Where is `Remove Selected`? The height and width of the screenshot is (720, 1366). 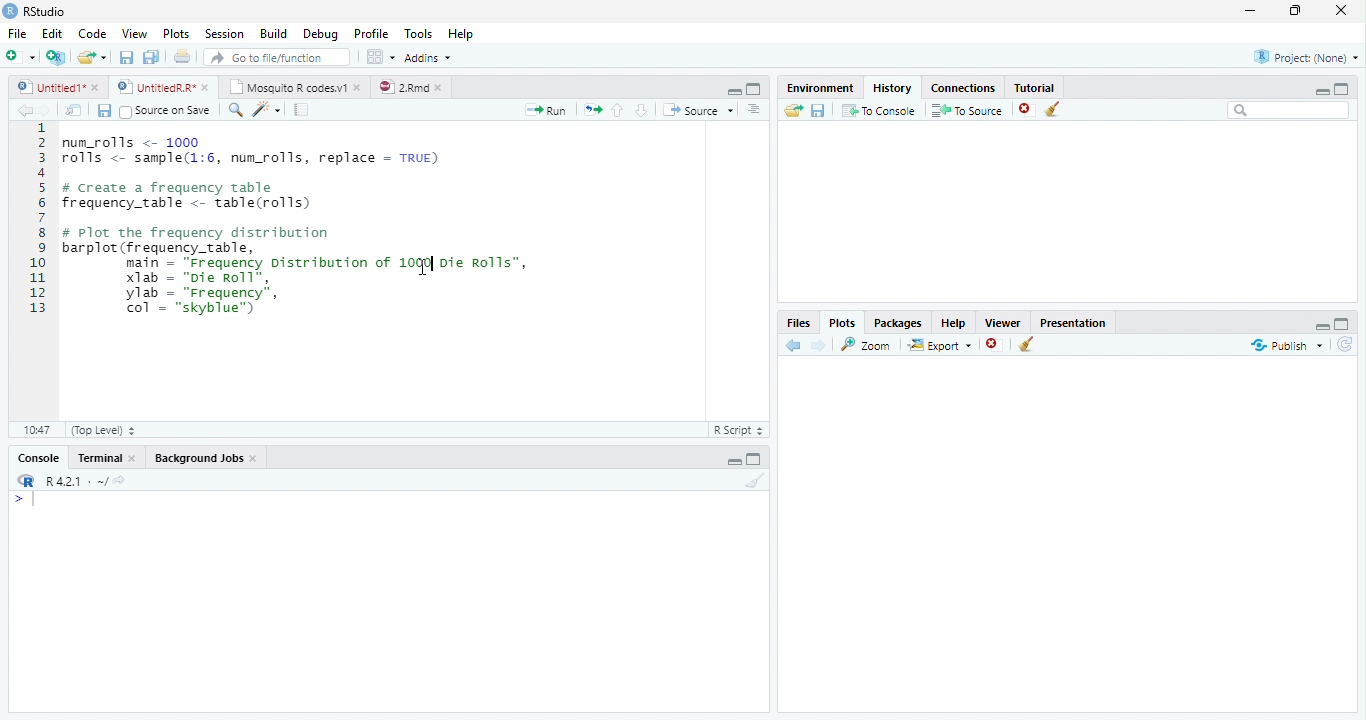 Remove Selected is located at coordinates (995, 346).